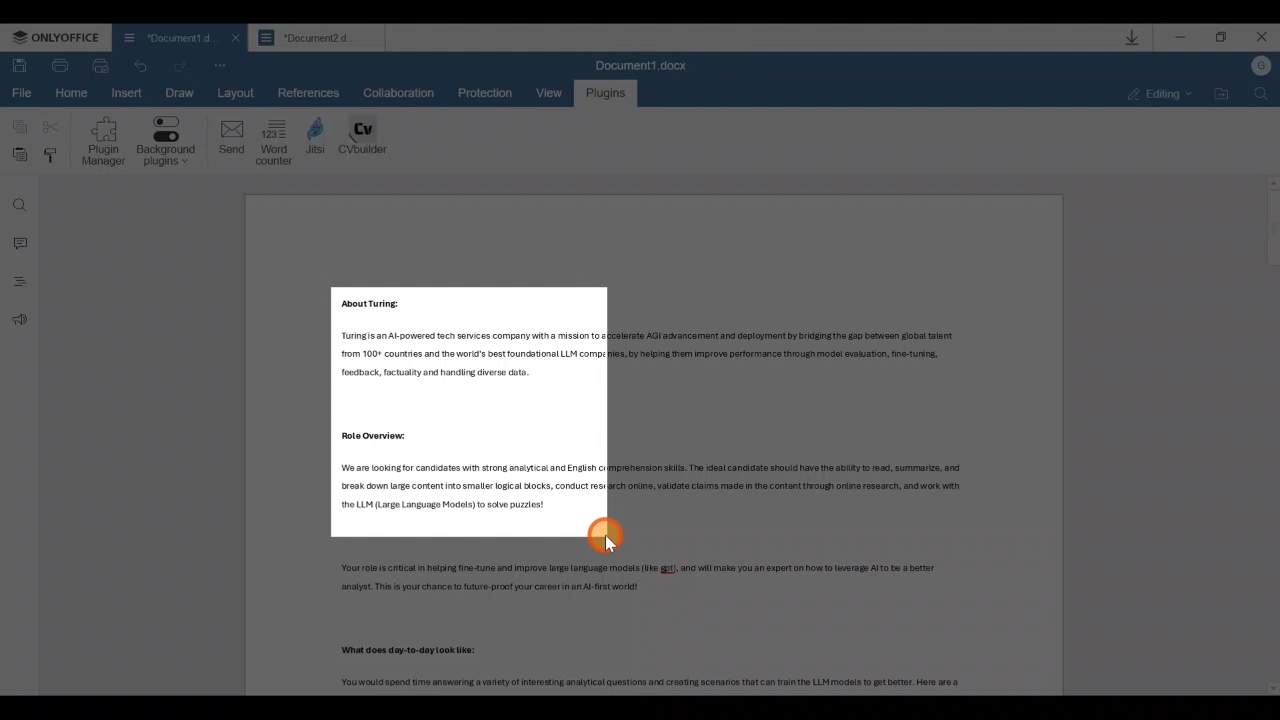 The height and width of the screenshot is (720, 1280). Describe the element at coordinates (1153, 94) in the screenshot. I see `Editing mode` at that location.